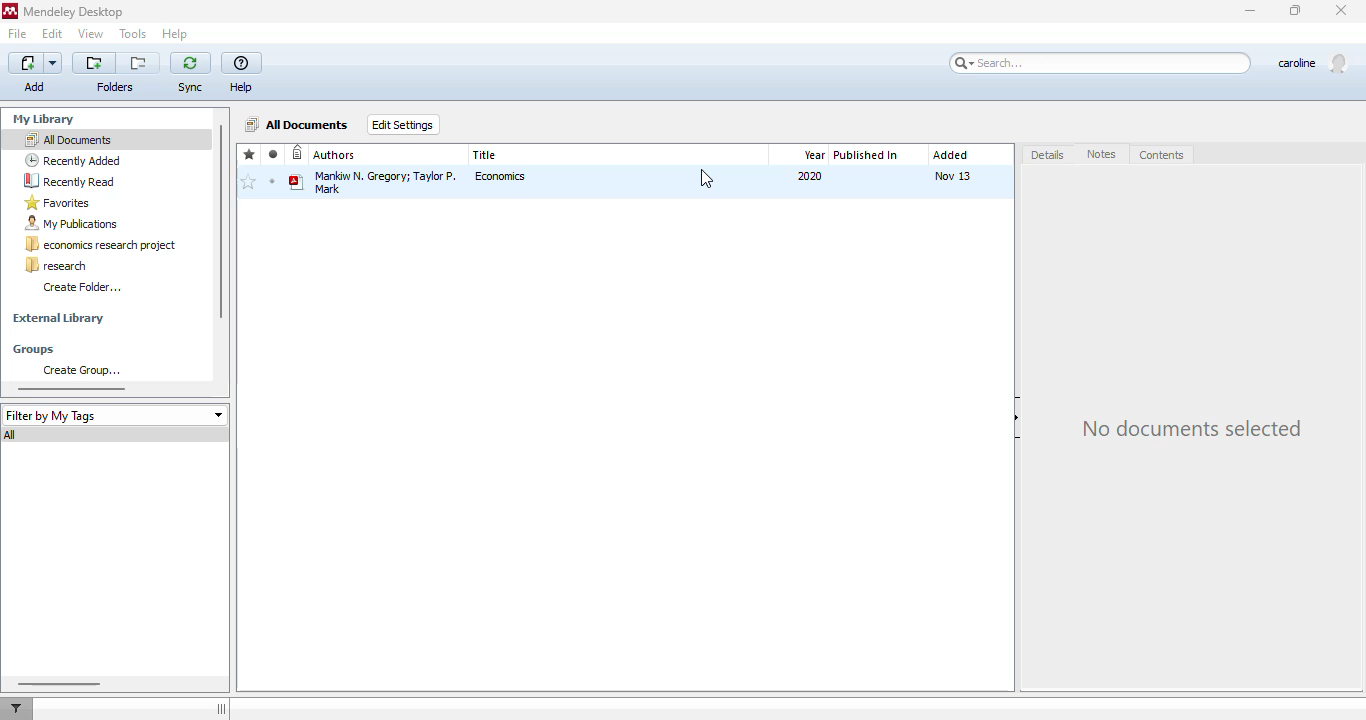  I want to click on groups, so click(34, 350).